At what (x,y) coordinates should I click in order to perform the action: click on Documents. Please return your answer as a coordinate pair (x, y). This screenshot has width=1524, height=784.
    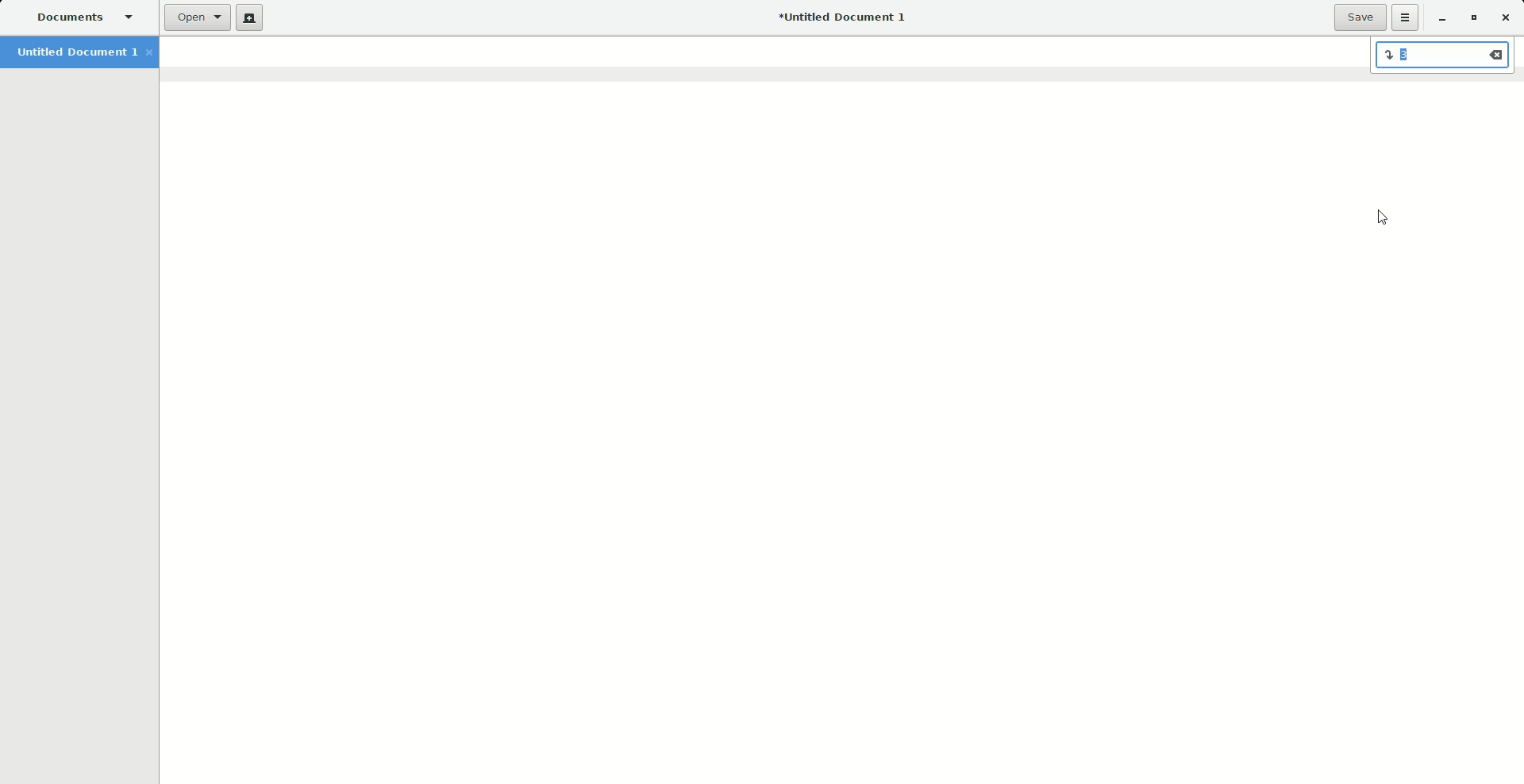
    Looking at the image, I should click on (87, 18).